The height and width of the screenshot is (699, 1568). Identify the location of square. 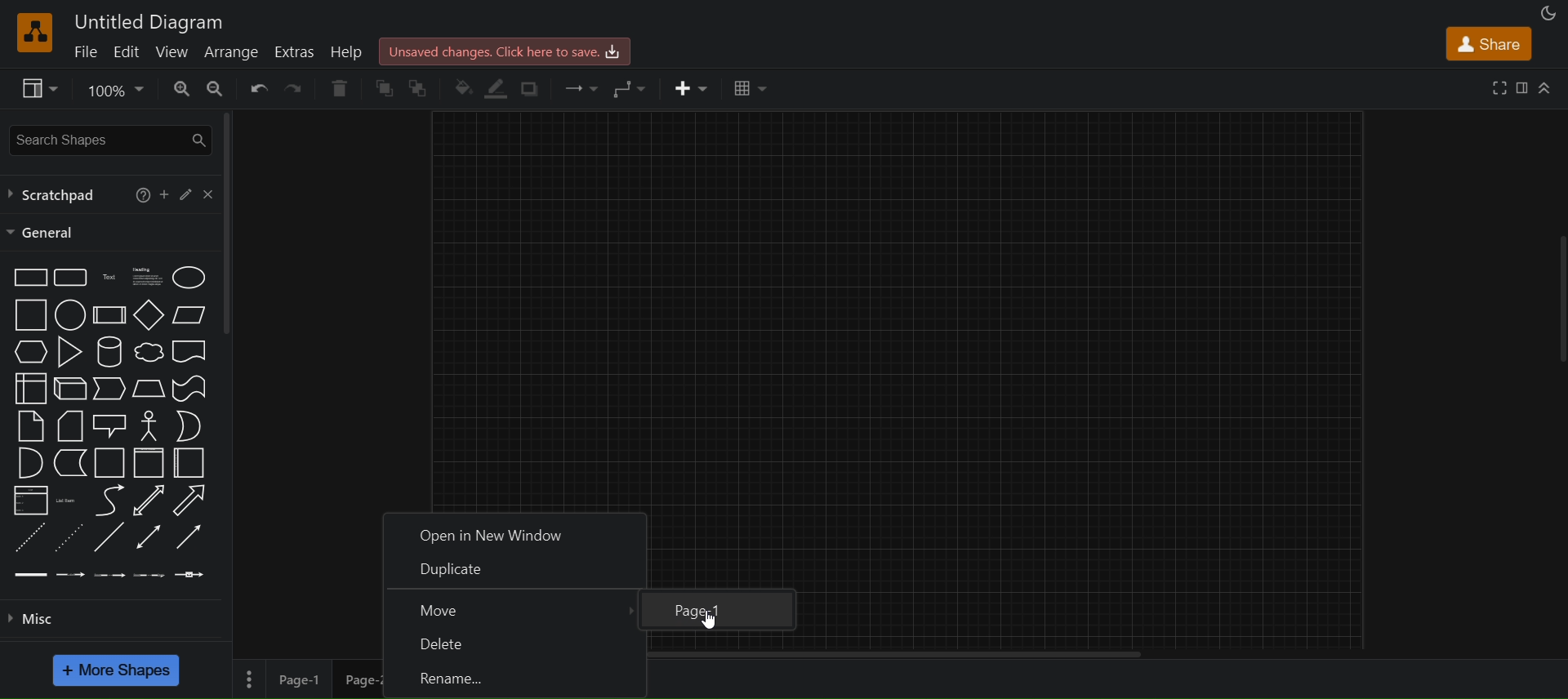
(29, 315).